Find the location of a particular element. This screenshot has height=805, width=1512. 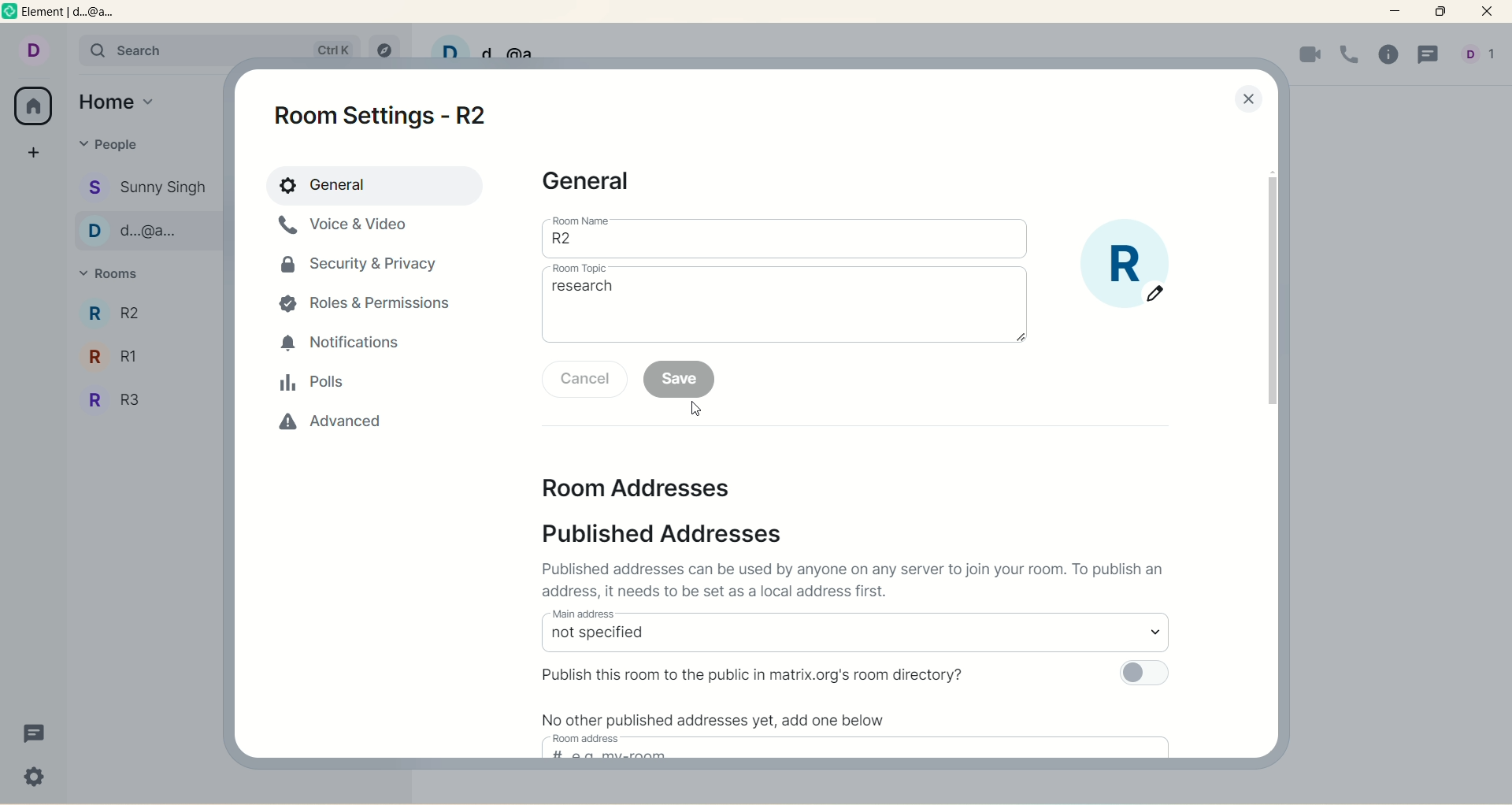

all rooms is located at coordinates (35, 106).